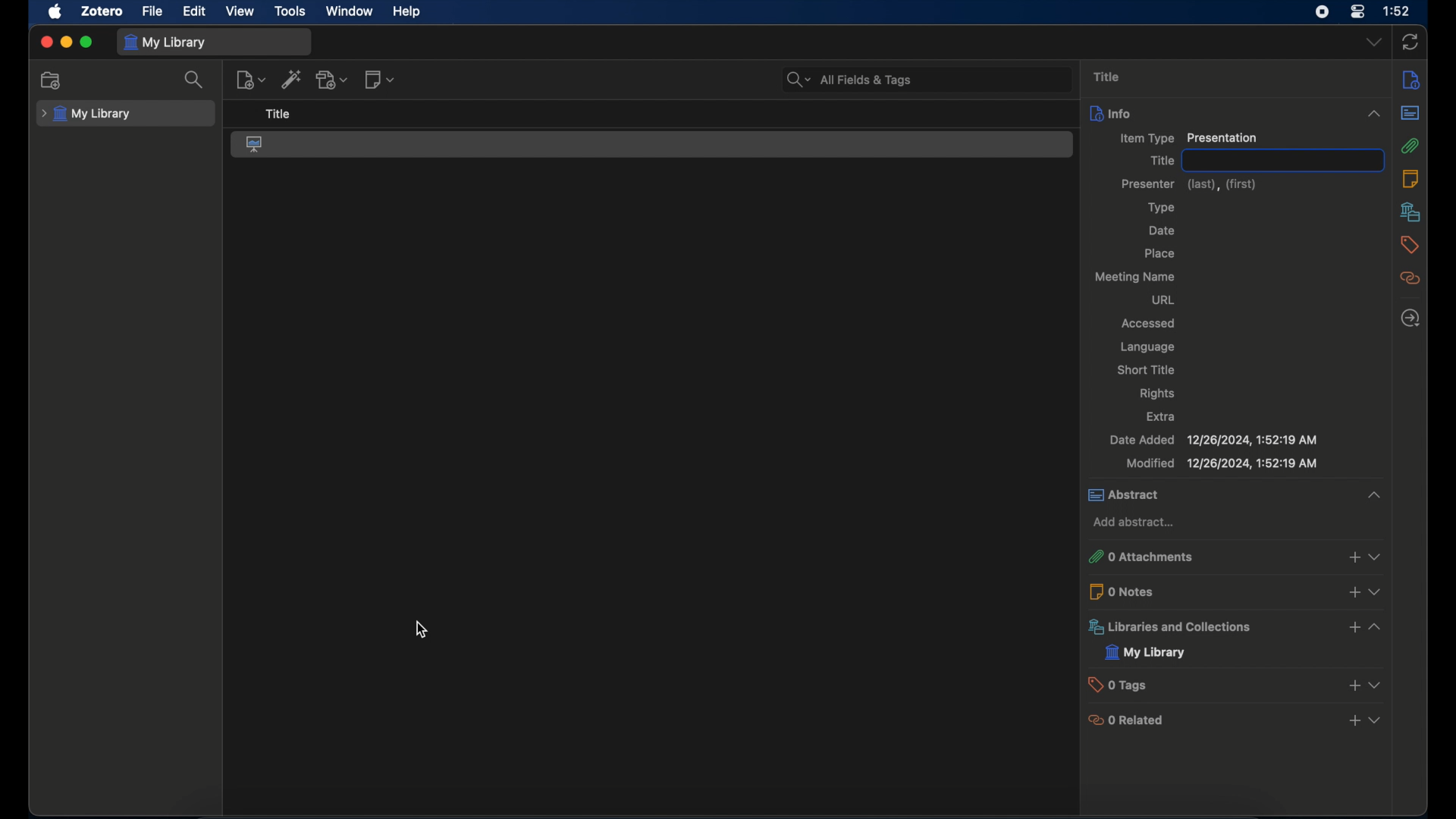 The image size is (1456, 819). Describe the element at coordinates (1410, 146) in the screenshot. I see `attachments` at that location.